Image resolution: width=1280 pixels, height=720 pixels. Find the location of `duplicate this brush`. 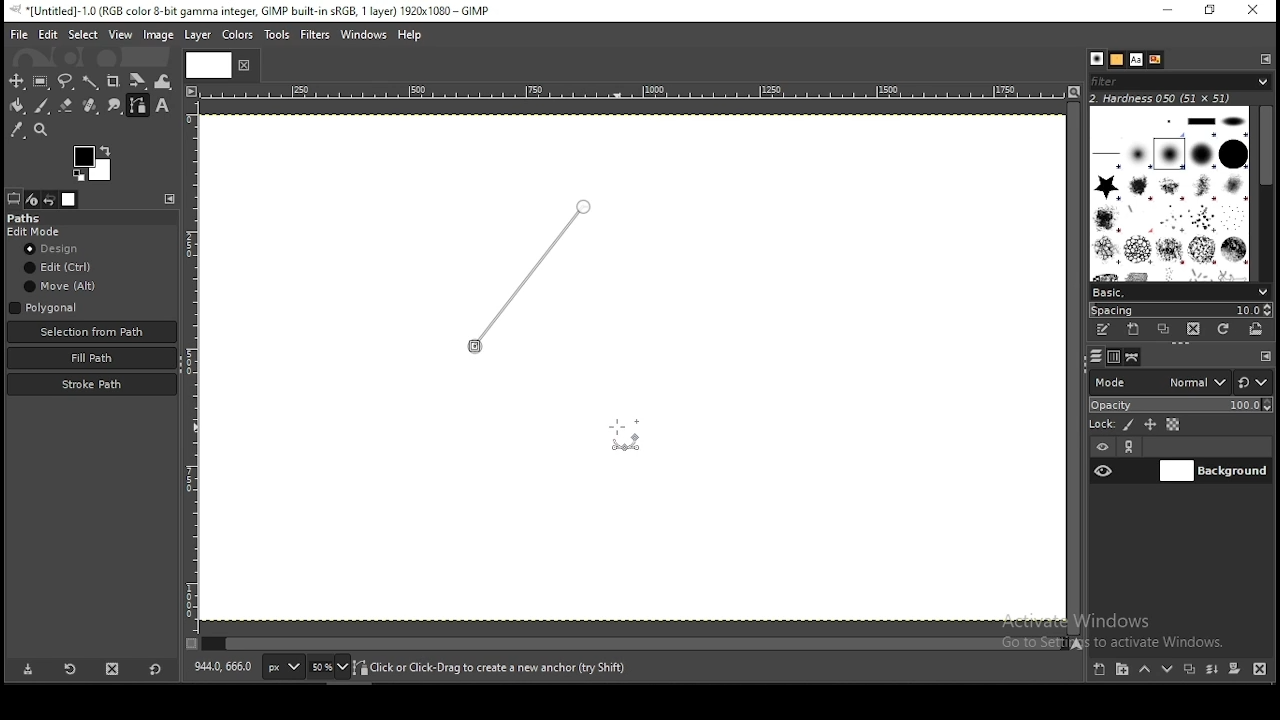

duplicate this brush is located at coordinates (1164, 329).